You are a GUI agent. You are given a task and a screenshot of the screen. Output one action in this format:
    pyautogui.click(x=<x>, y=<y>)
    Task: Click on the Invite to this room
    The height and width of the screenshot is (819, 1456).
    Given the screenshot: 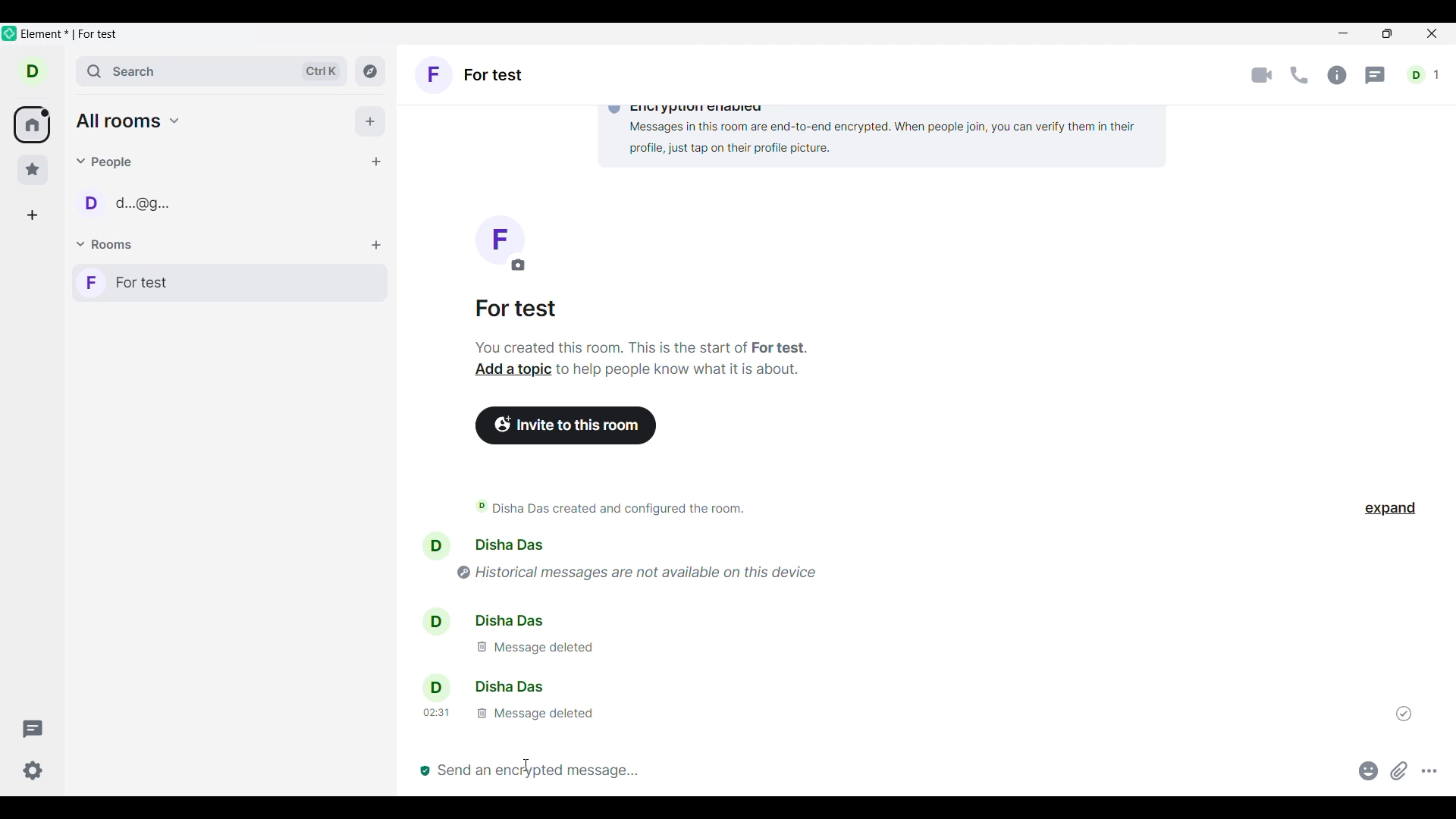 What is the action you would take?
    pyautogui.click(x=567, y=425)
    